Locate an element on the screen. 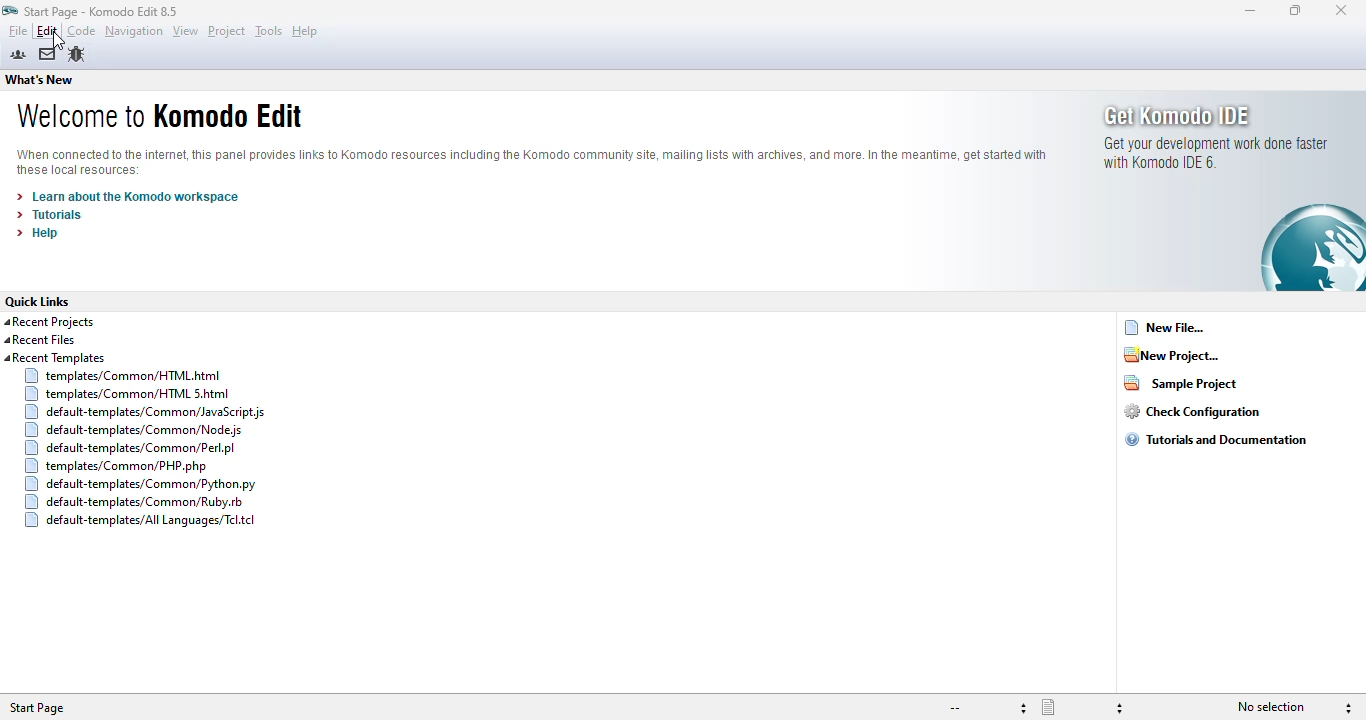  komodo community is located at coordinates (17, 55).